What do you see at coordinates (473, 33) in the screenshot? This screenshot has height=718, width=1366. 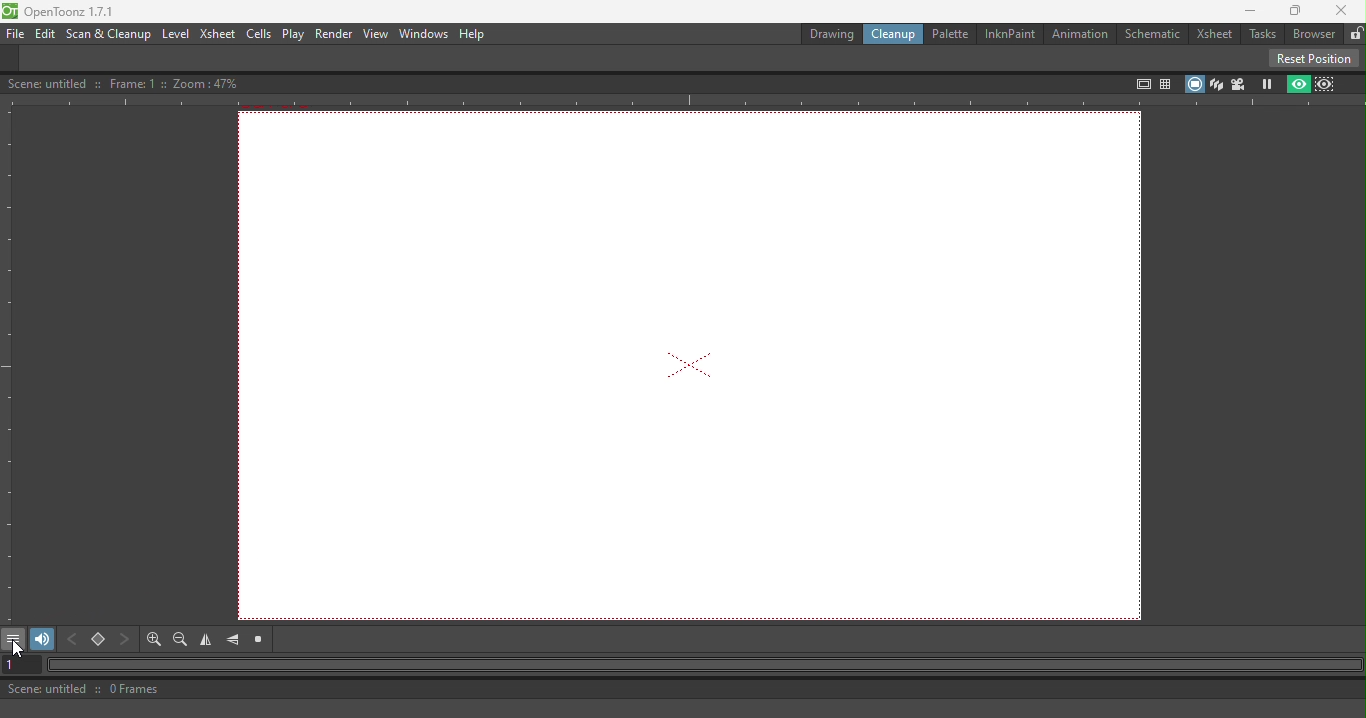 I see `Help` at bounding box center [473, 33].